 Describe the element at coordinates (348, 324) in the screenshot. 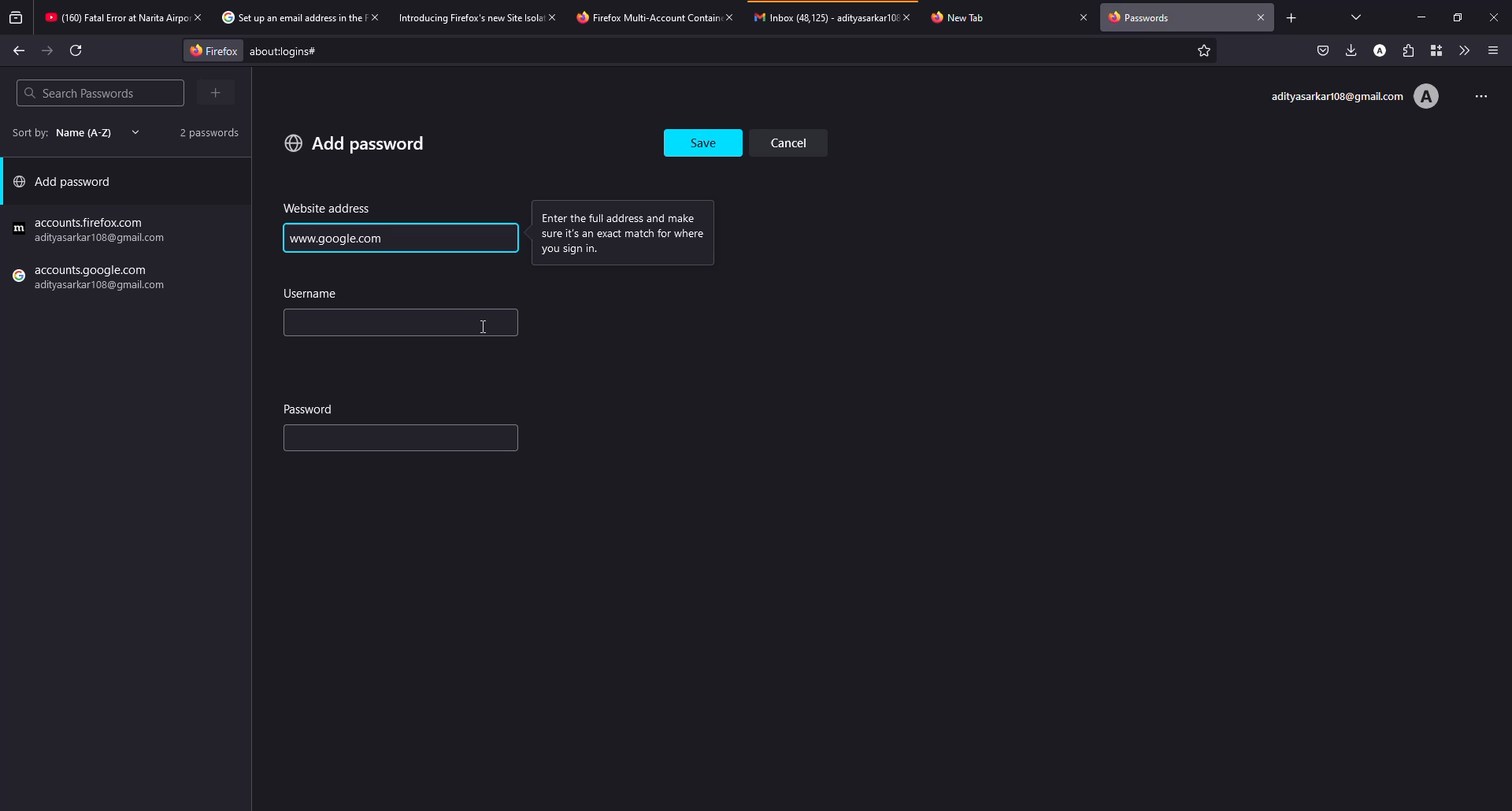

I see `type` at that location.